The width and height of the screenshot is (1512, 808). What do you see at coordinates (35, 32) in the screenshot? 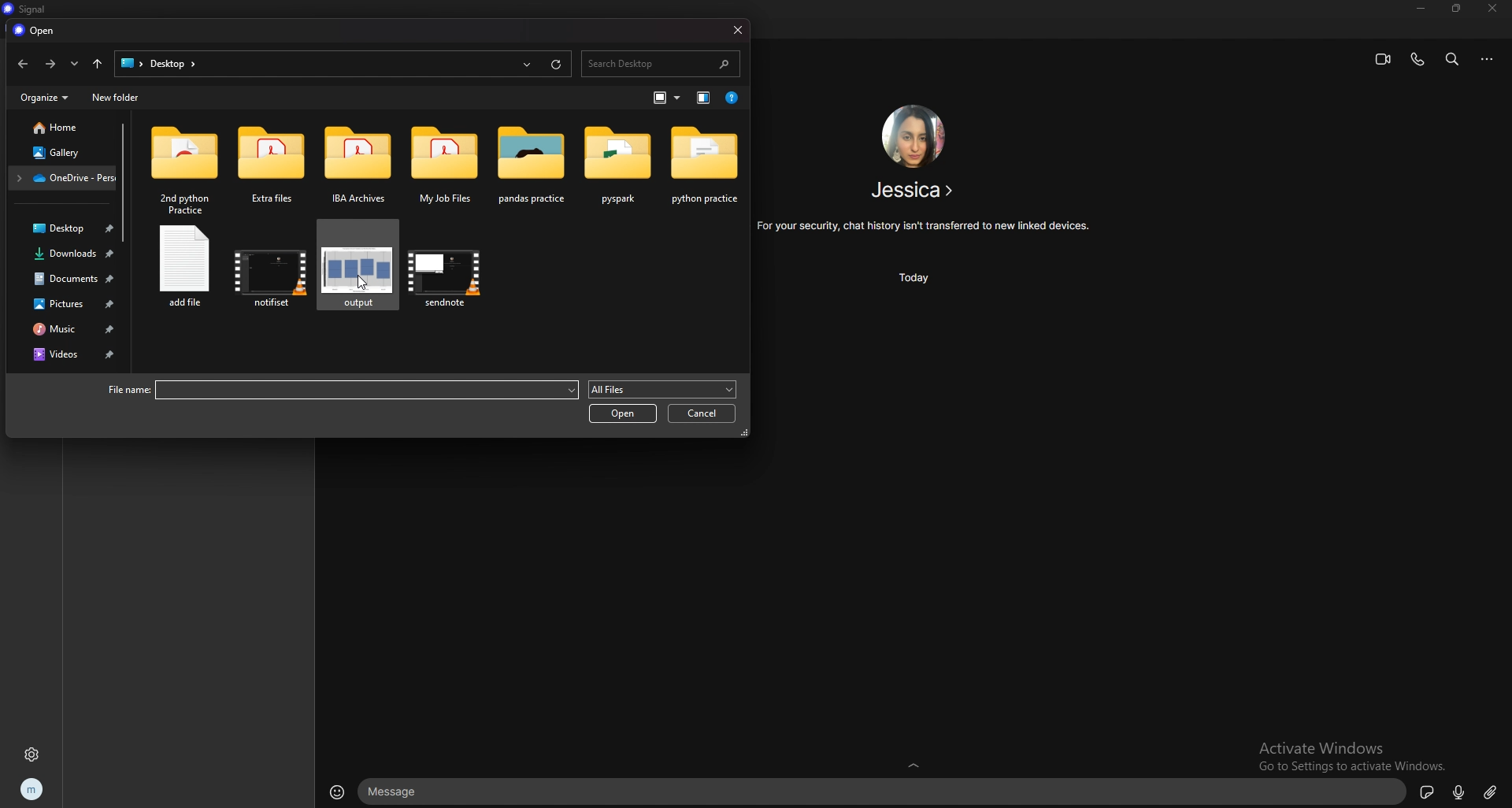
I see `open` at bounding box center [35, 32].